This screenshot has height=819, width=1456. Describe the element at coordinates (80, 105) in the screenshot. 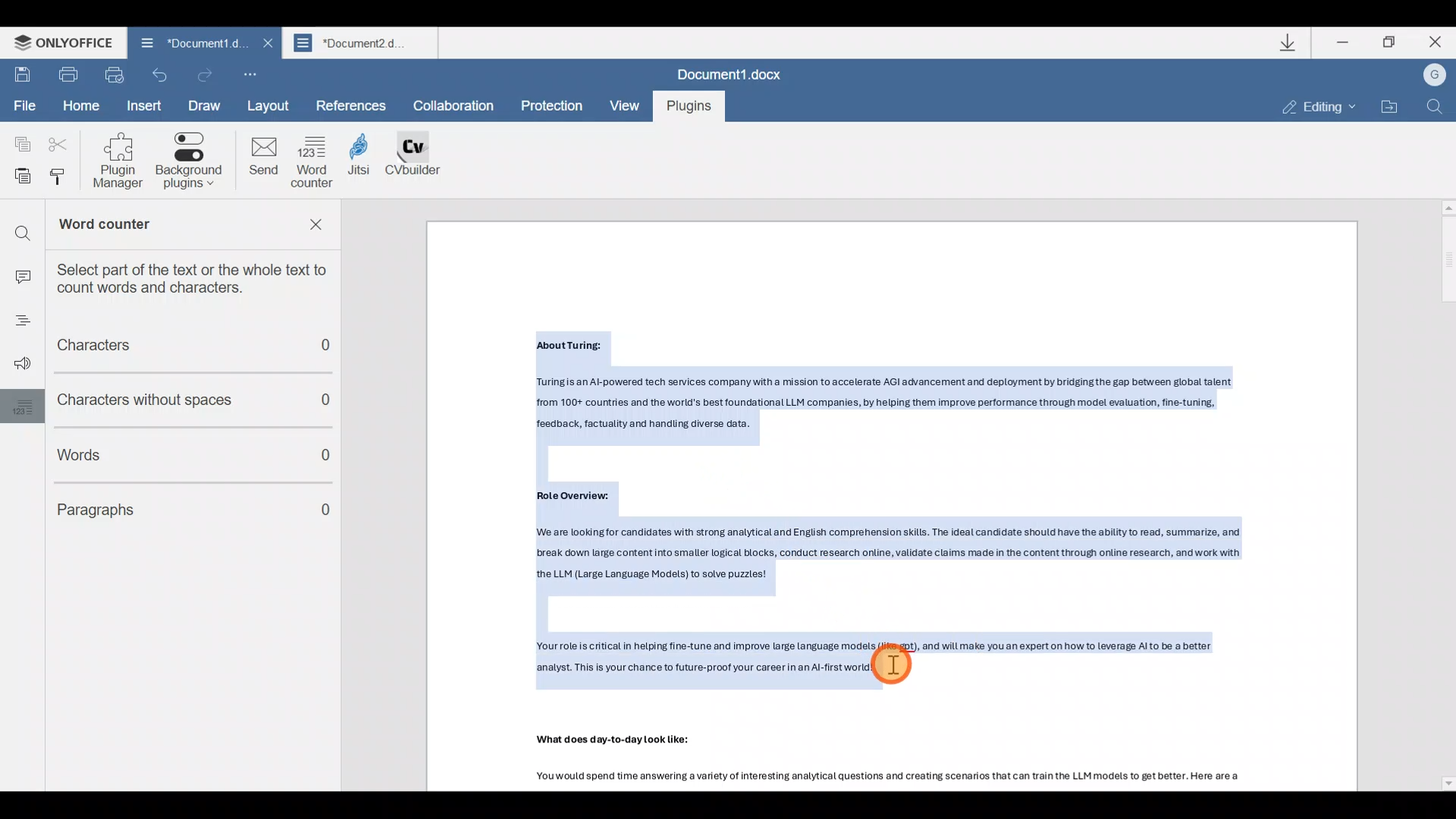

I see `Home` at that location.